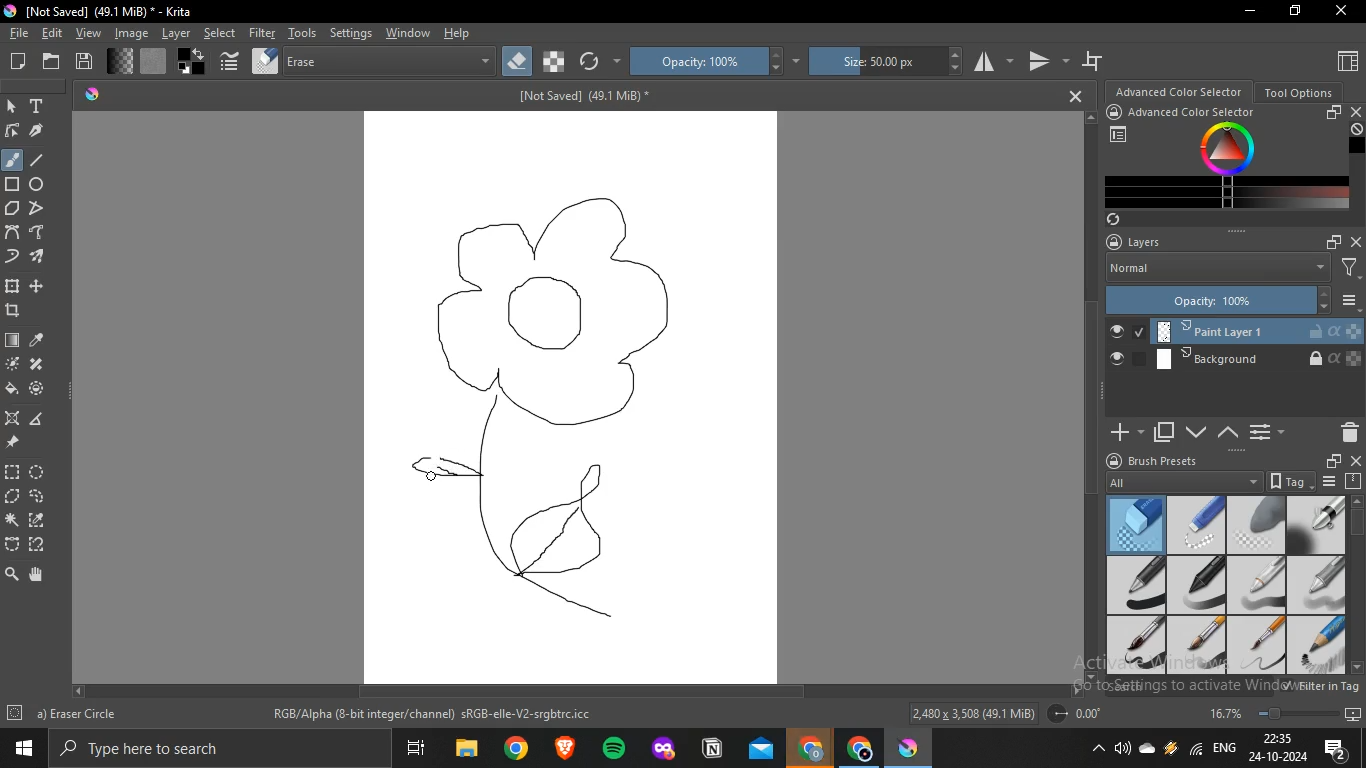  What do you see at coordinates (264, 61) in the screenshot?
I see `choose brush preset` at bounding box center [264, 61].